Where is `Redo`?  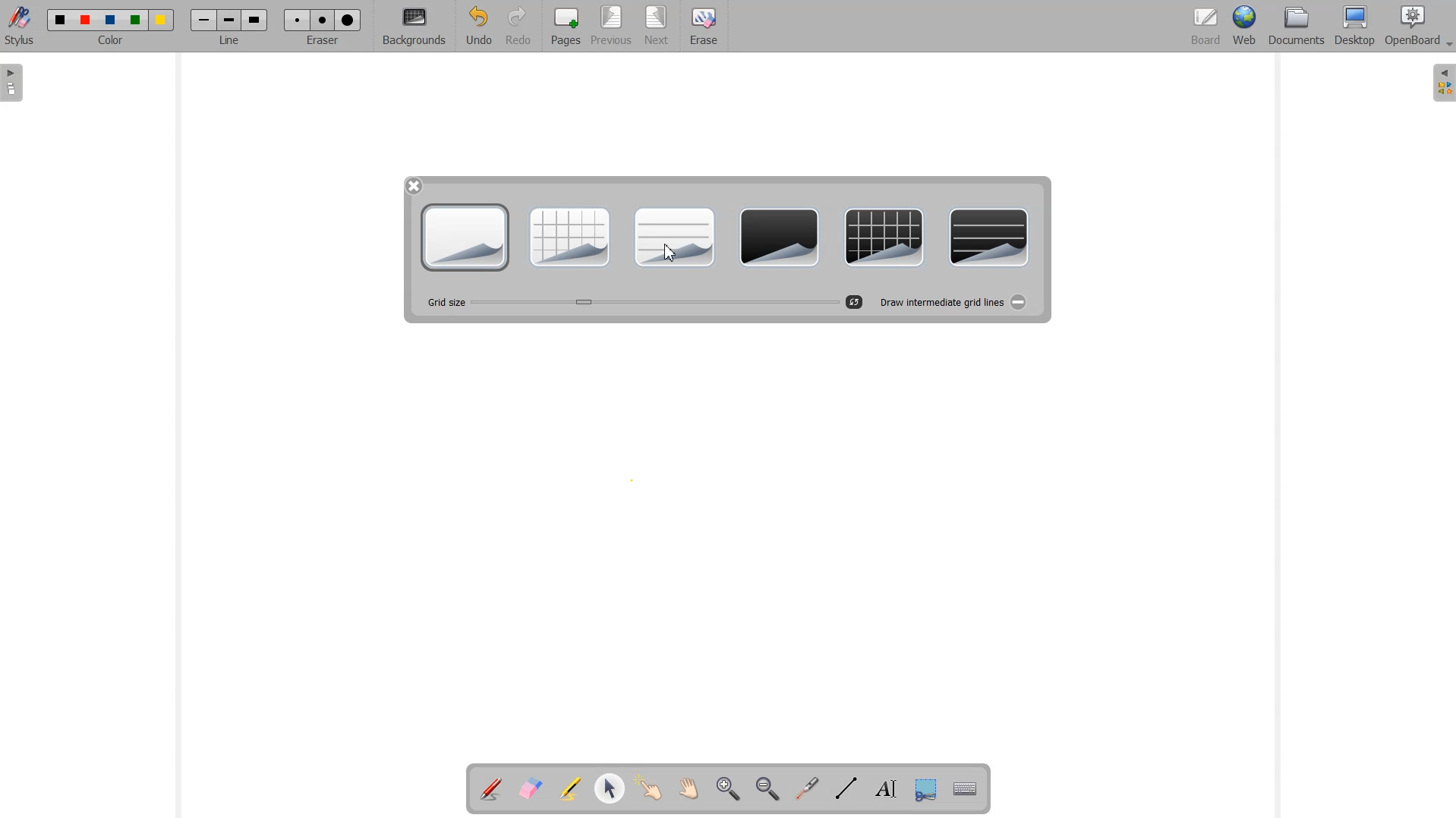
Redo is located at coordinates (518, 27).